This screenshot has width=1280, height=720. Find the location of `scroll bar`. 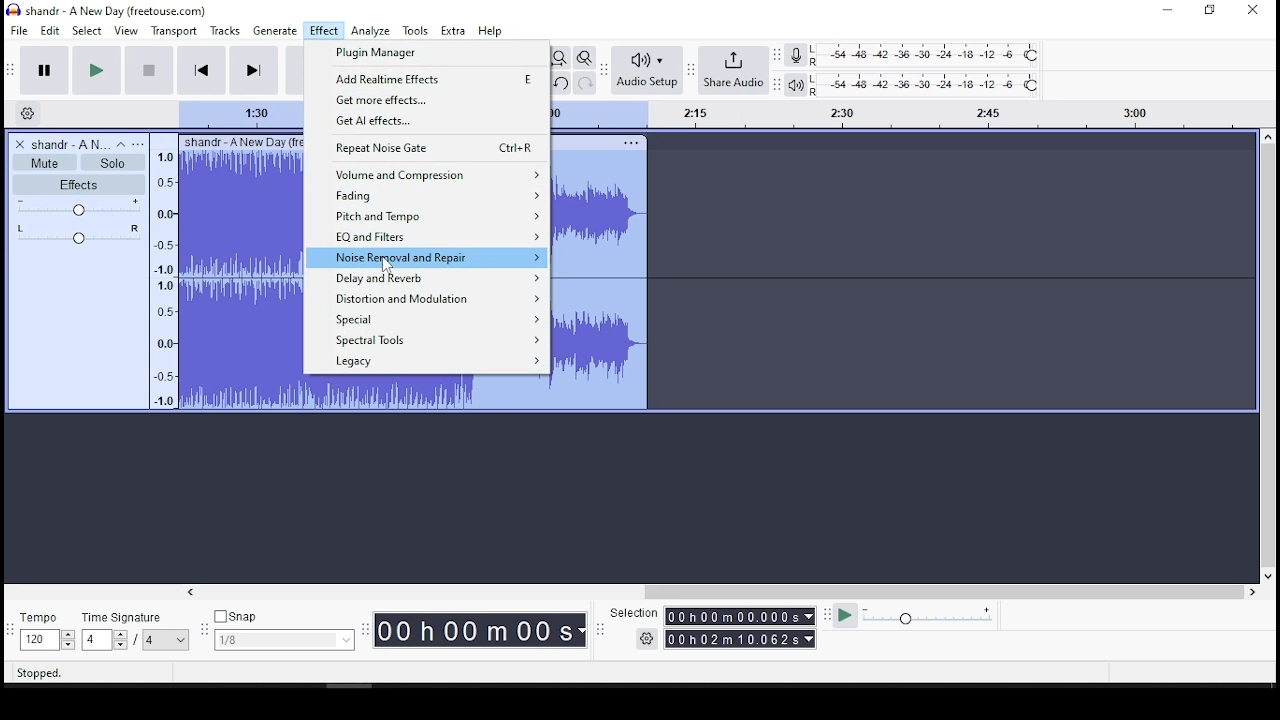

scroll bar is located at coordinates (720, 590).